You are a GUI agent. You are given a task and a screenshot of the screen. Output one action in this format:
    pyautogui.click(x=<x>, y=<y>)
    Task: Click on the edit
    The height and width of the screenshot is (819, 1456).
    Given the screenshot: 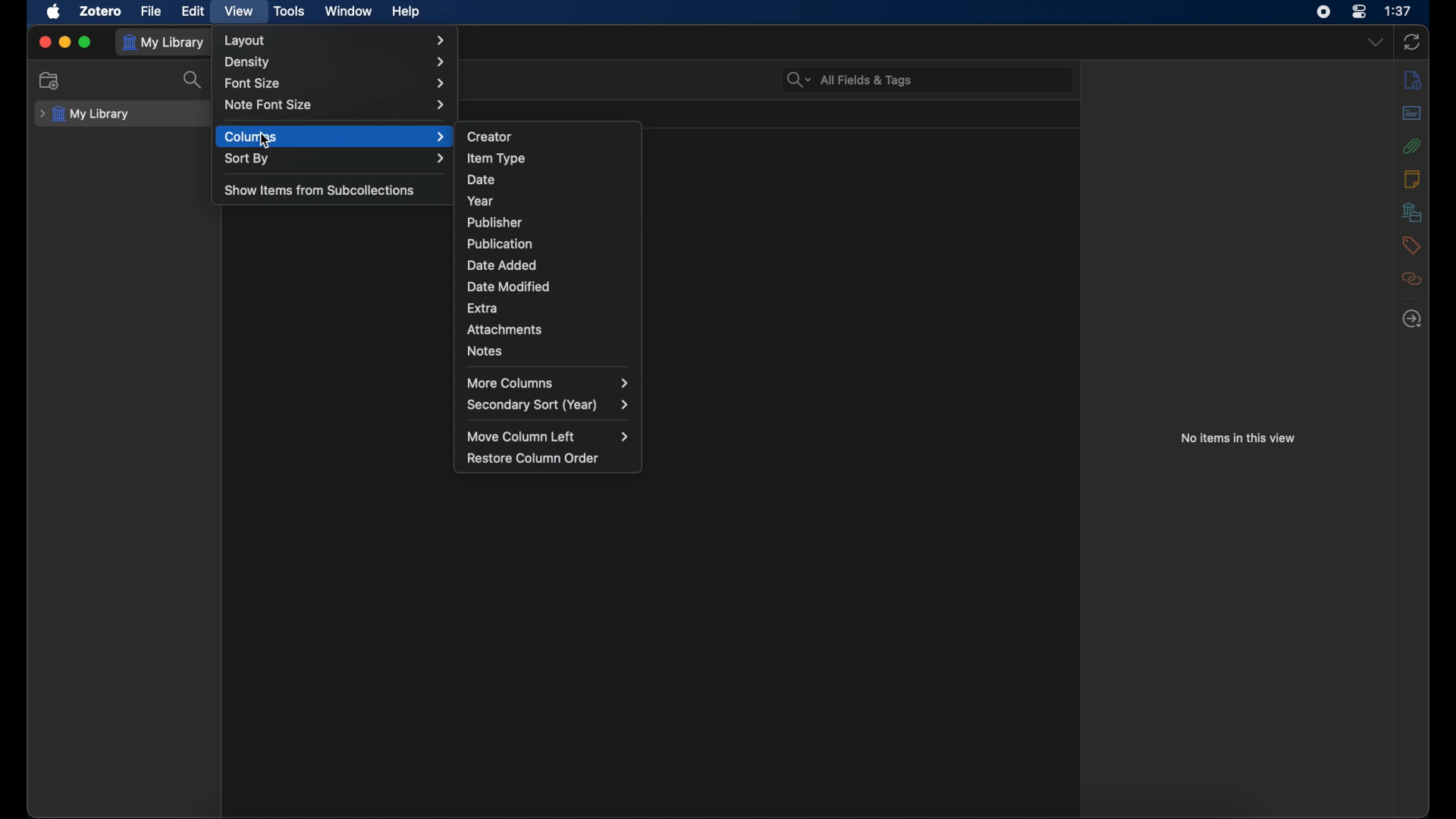 What is the action you would take?
    pyautogui.click(x=194, y=11)
    